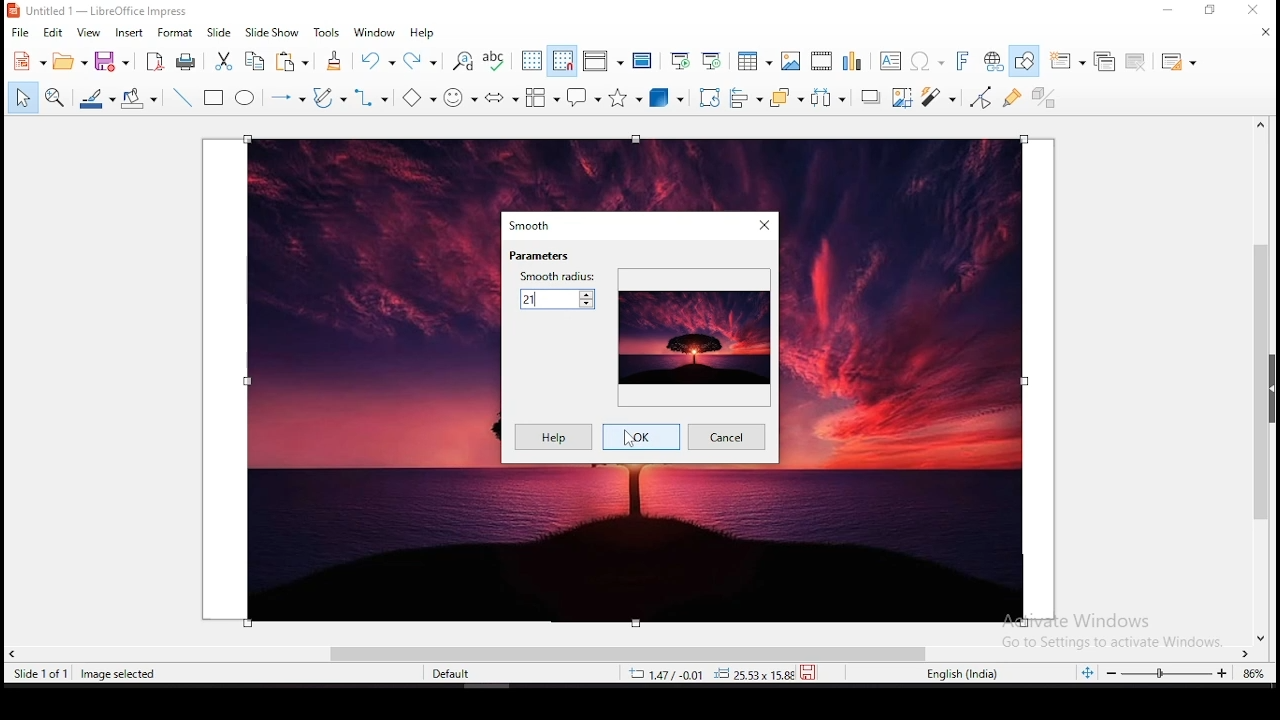 The image size is (1280, 720). I want to click on duplicate slide, so click(1102, 60).